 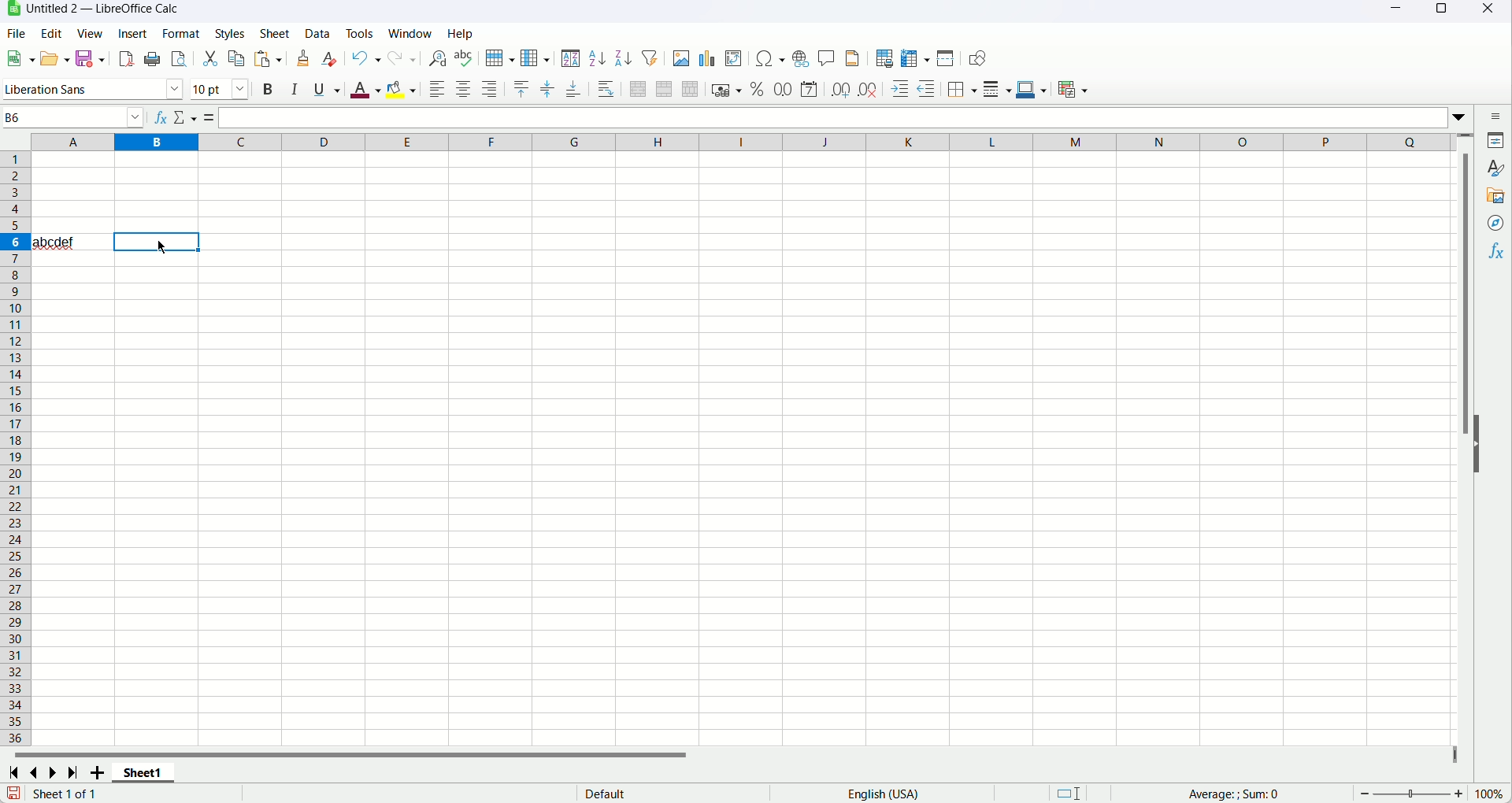 What do you see at coordinates (438, 58) in the screenshot?
I see `find and replace` at bounding box center [438, 58].